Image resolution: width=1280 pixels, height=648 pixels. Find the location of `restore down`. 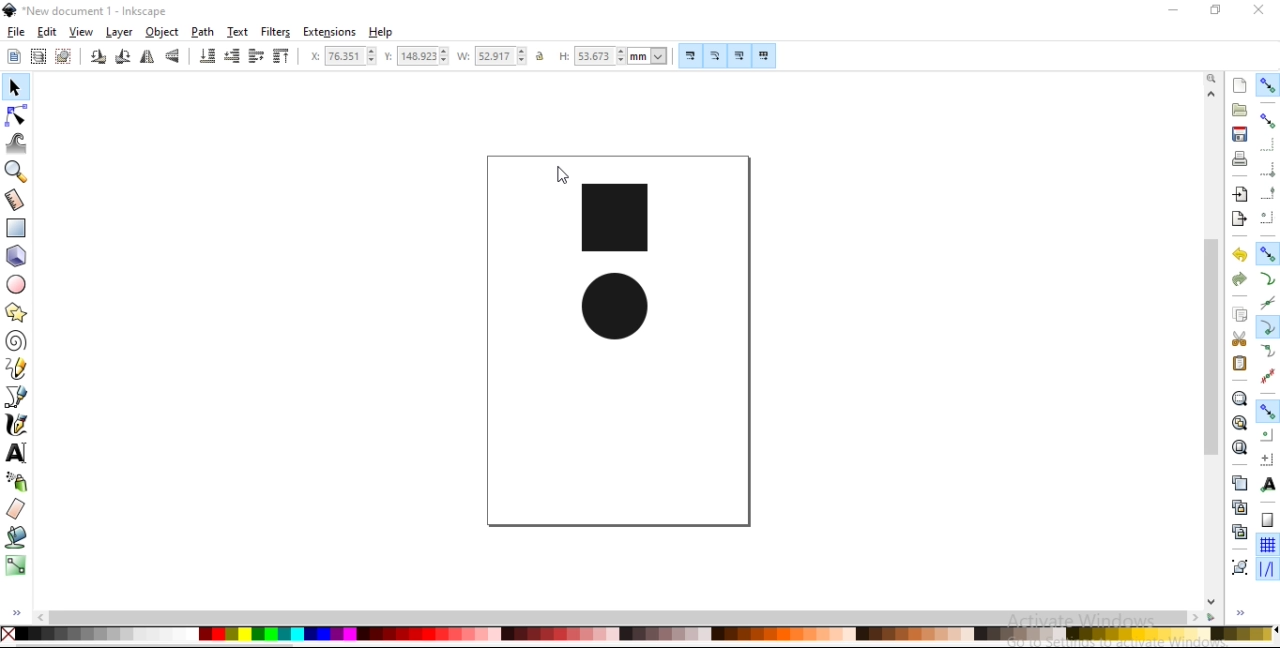

restore down is located at coordinates (1216, 10).